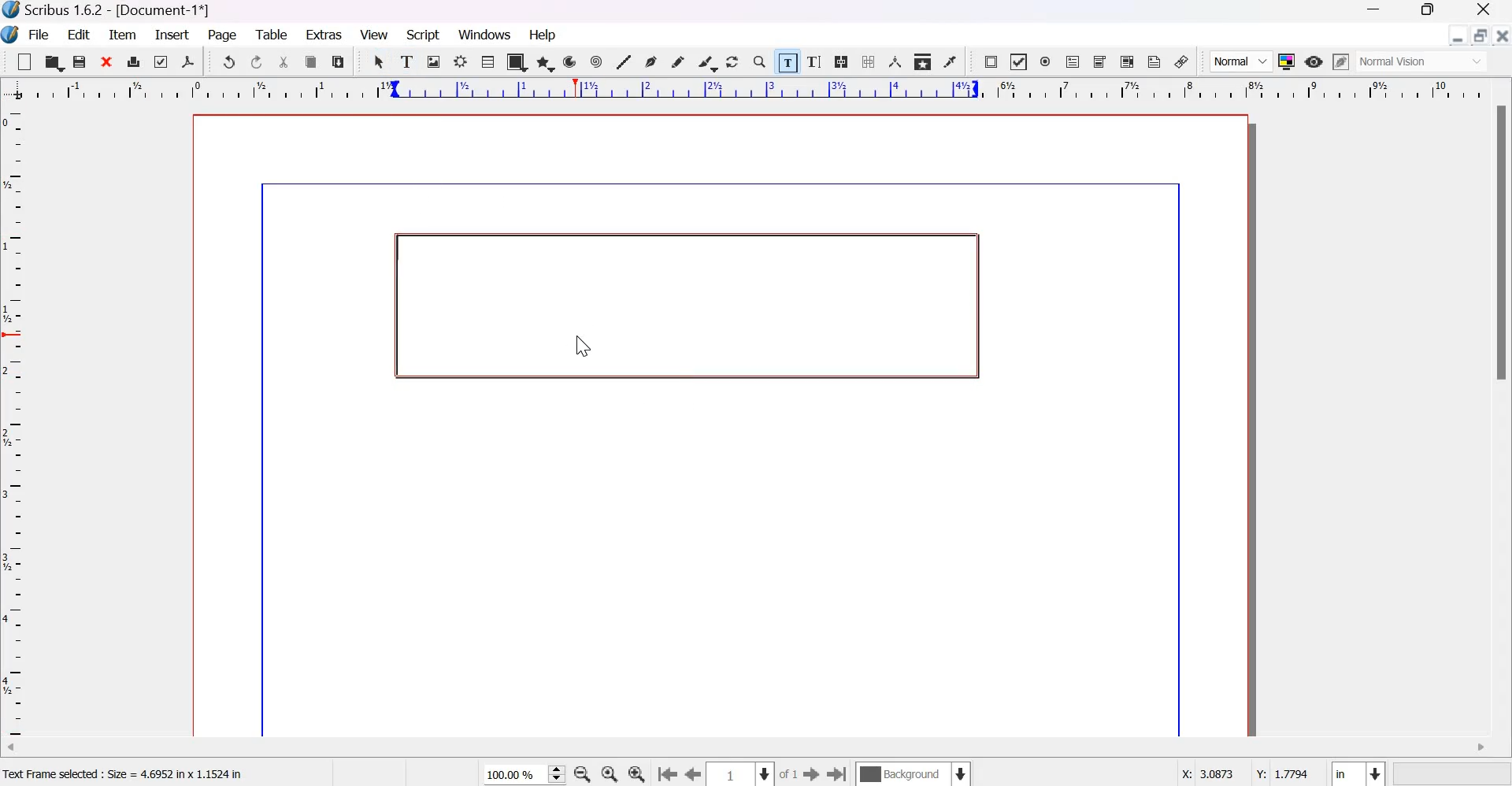 The width and height of the screenshot is (1512, 786). I want to click on PDF list box, so click(1128, 61).